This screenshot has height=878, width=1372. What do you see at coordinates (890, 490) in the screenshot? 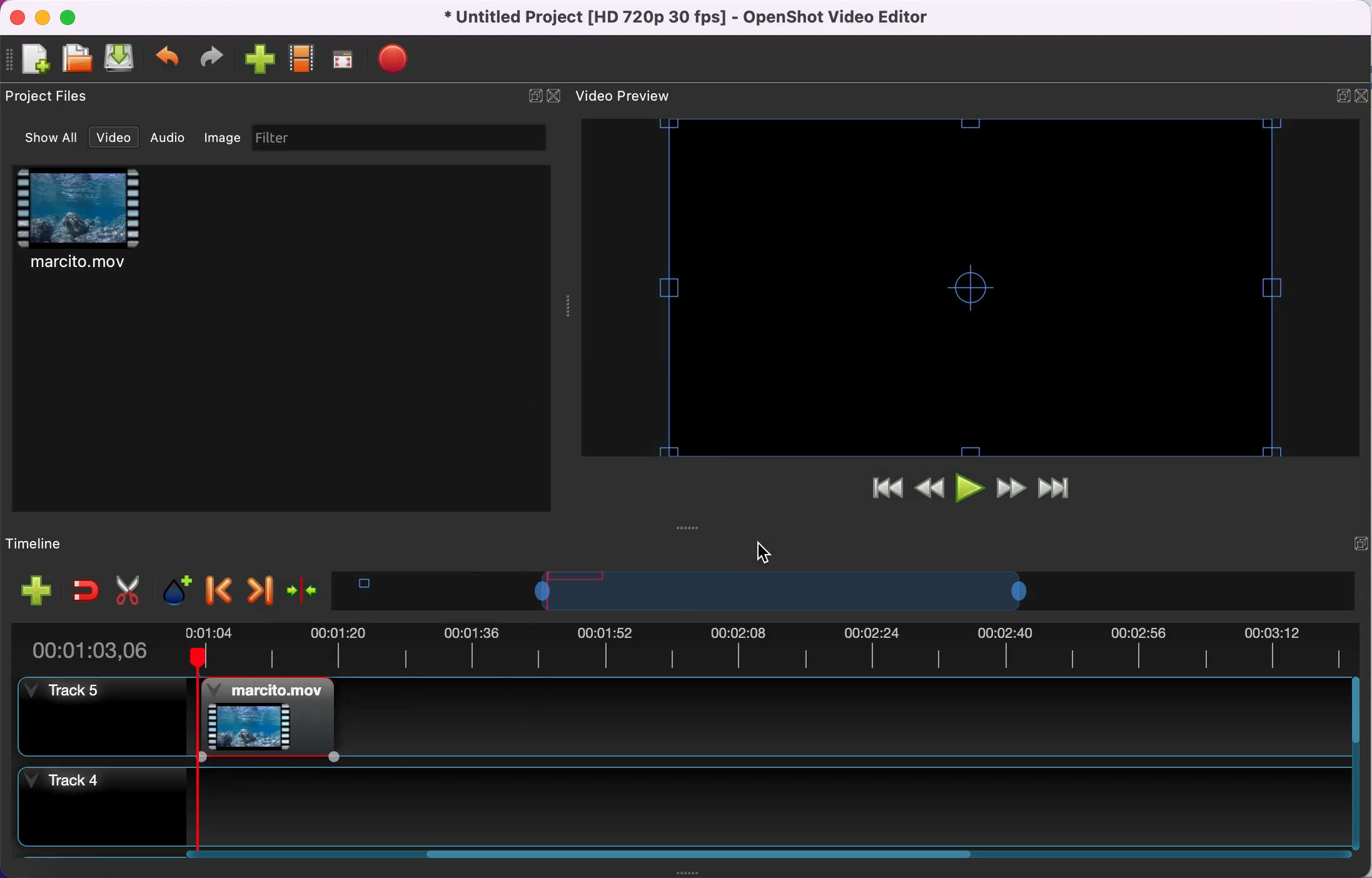
I see `jump to start` at bounding box center [890, 490].